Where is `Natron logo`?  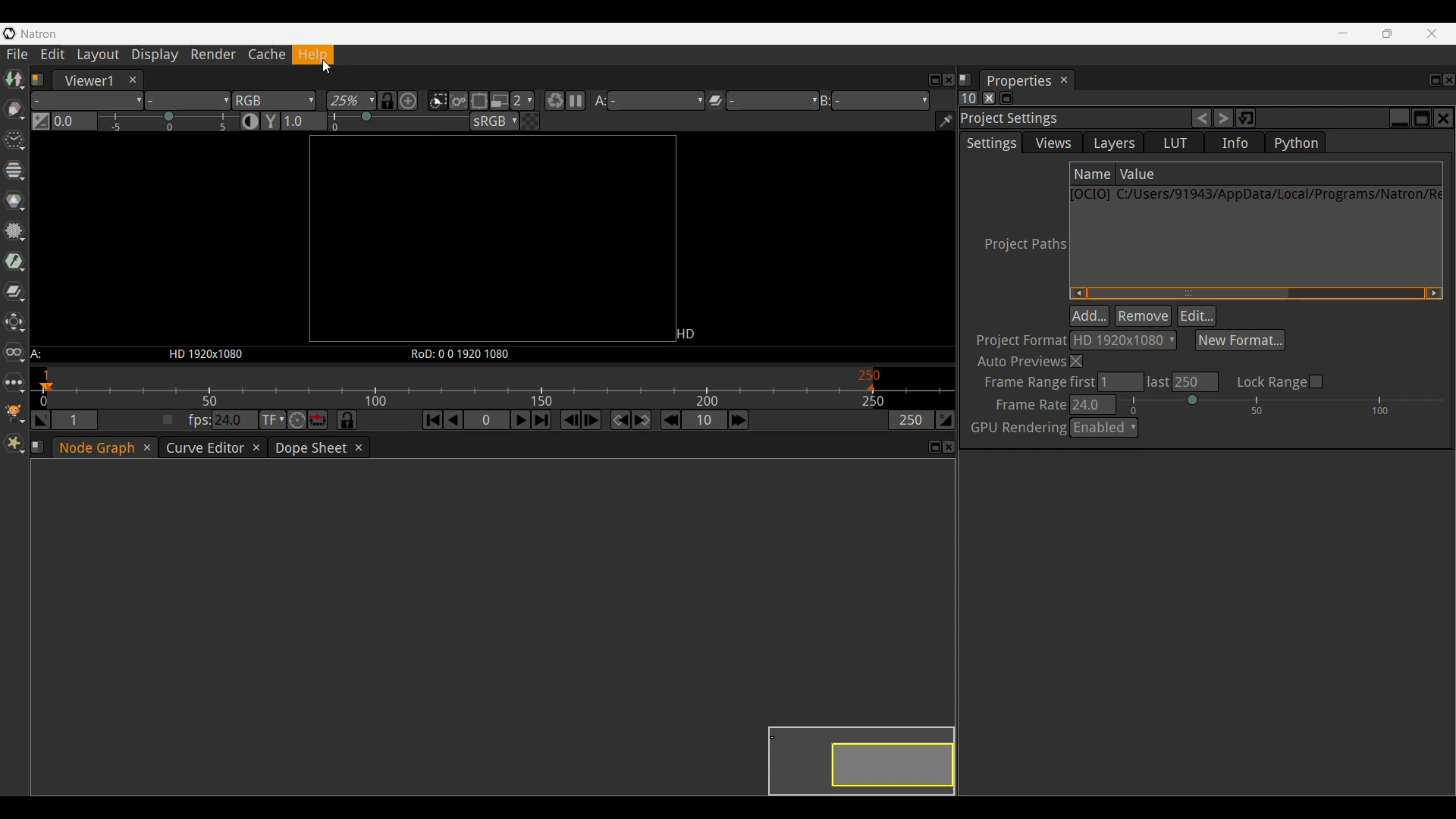
Natron logo is located at coordinates (9, 33).